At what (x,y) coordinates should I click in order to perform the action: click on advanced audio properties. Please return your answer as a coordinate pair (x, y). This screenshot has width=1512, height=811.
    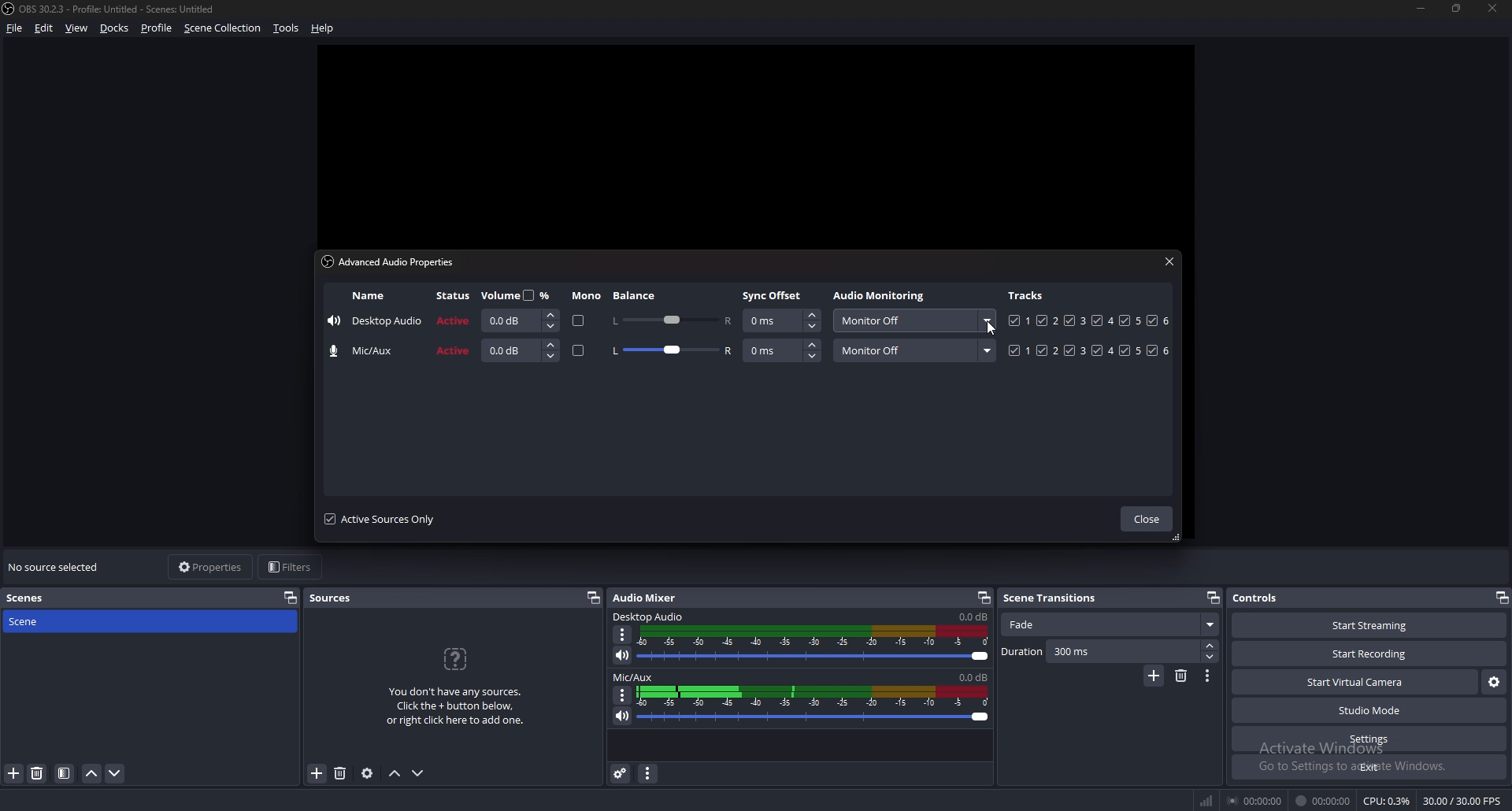
    Looking at the image, I should click on (393, 261).